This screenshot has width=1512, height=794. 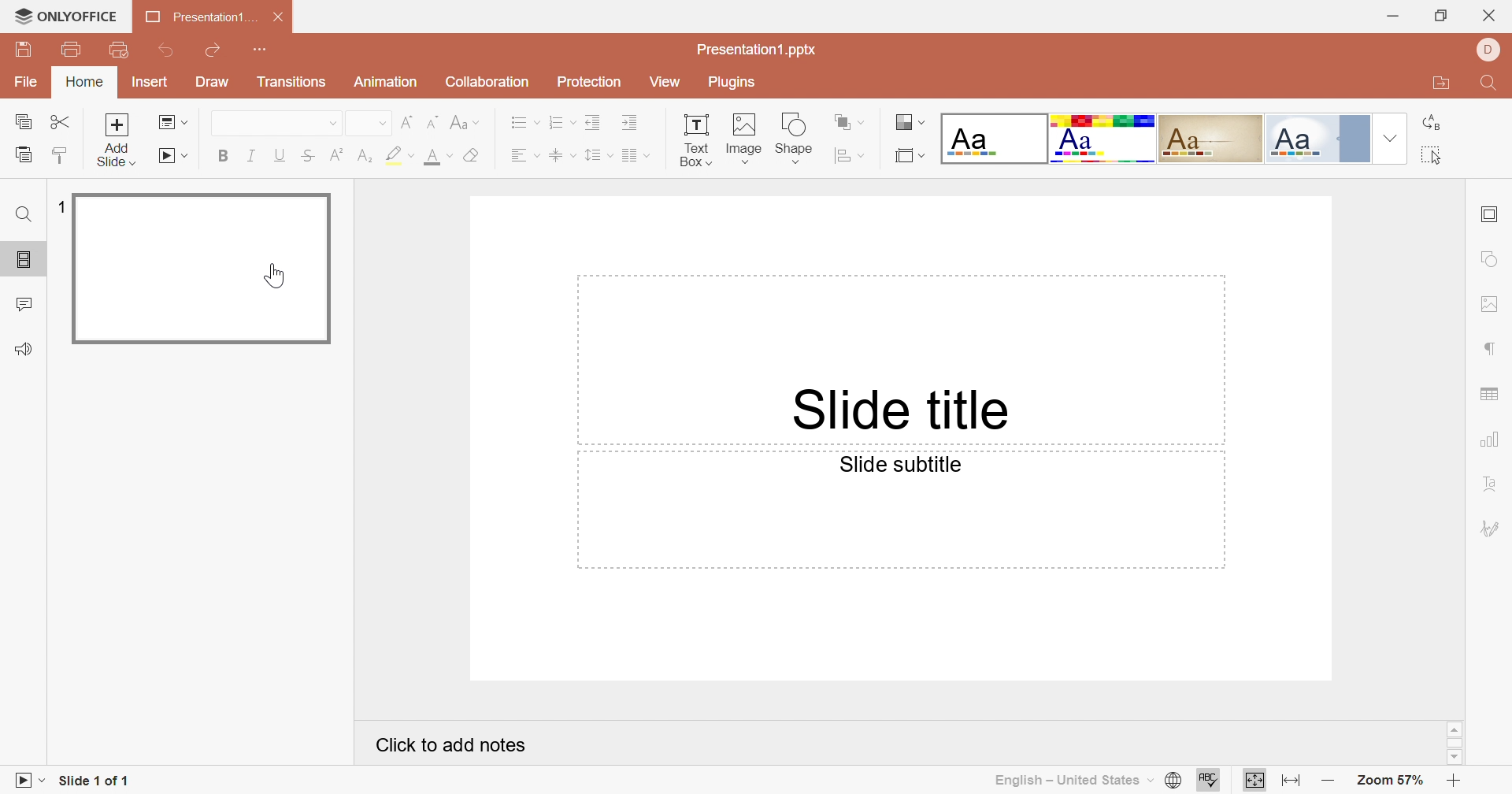 What do you see at coordinates (333, 123) in the screenshot?
I see `Drop Down` at bounding box center [333, 123].